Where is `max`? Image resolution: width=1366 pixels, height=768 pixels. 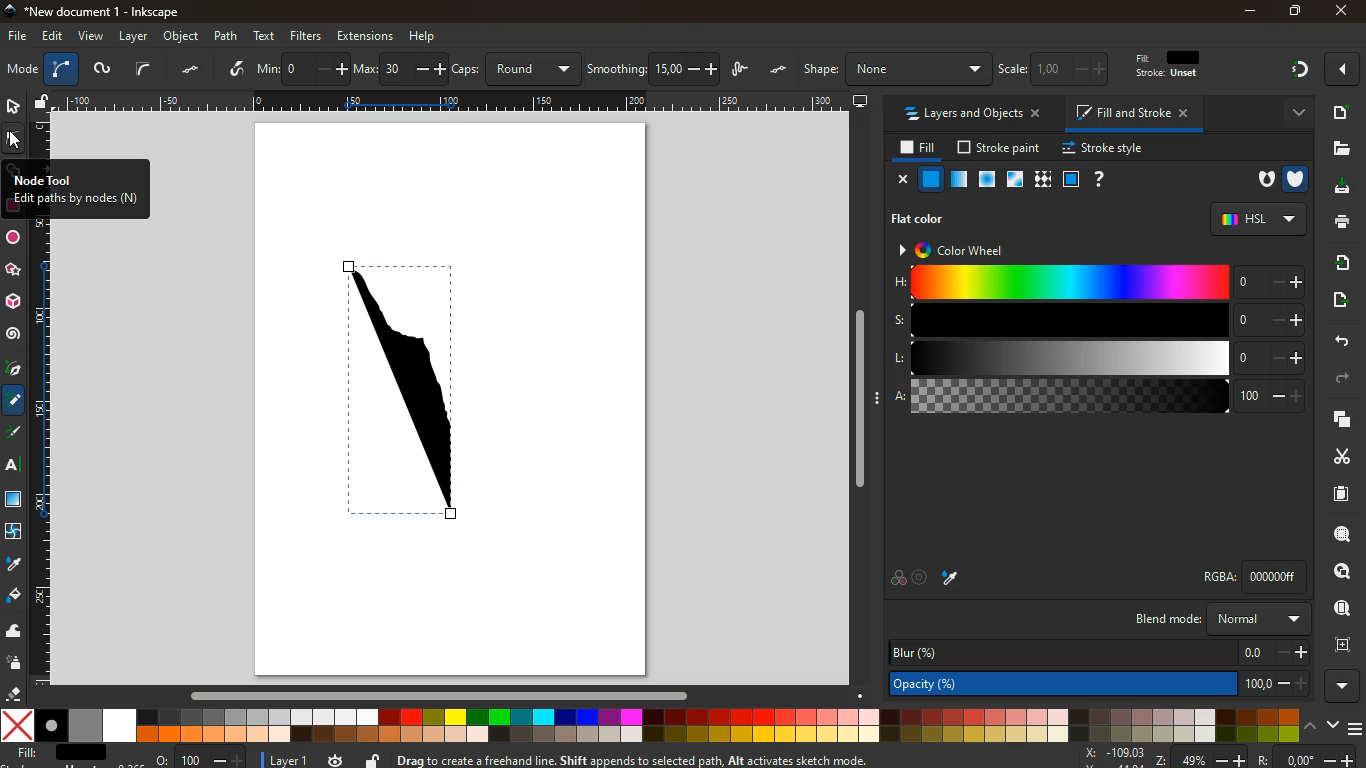
max is located at coordinates (400, 67).